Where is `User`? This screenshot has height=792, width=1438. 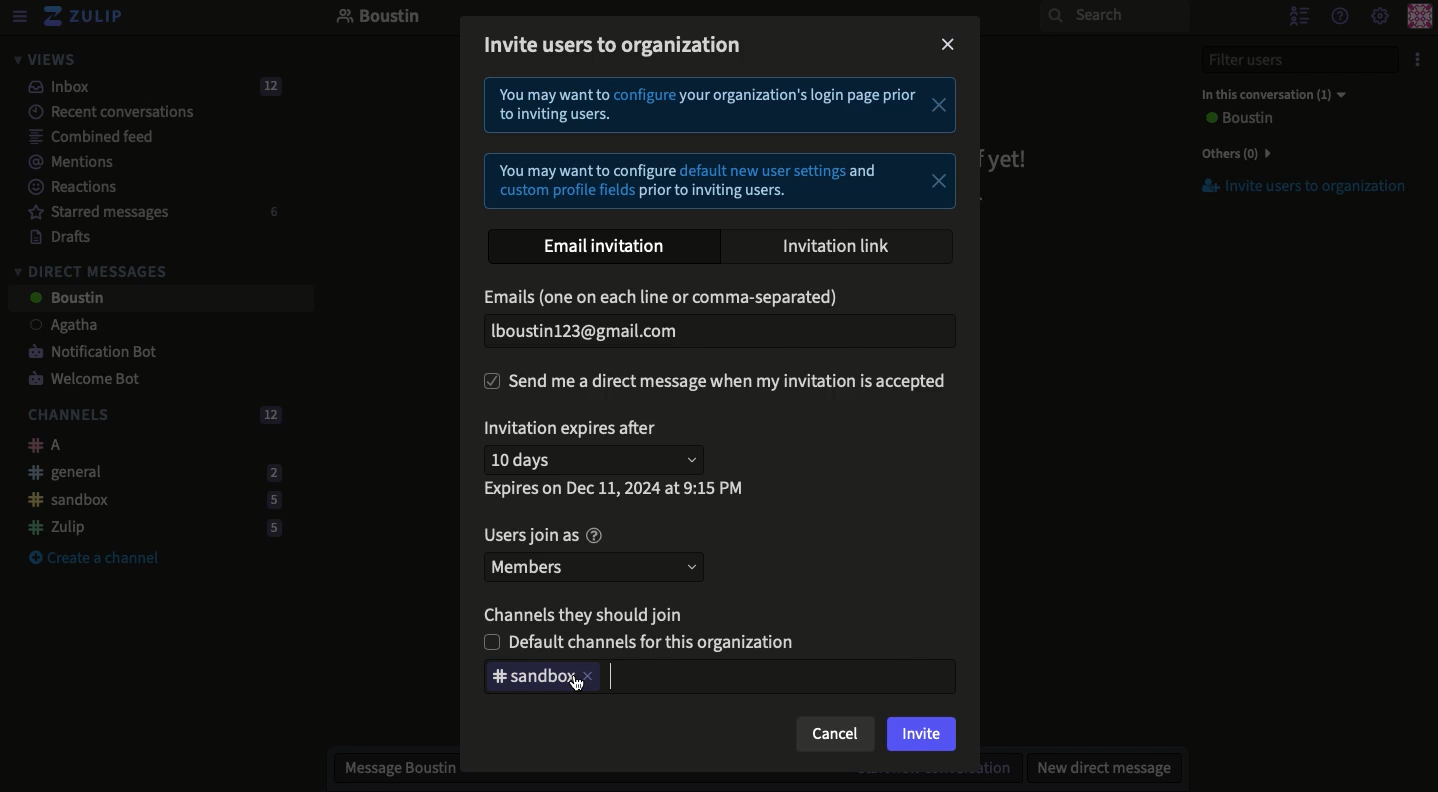
User is located at coordinates (1236, 119).